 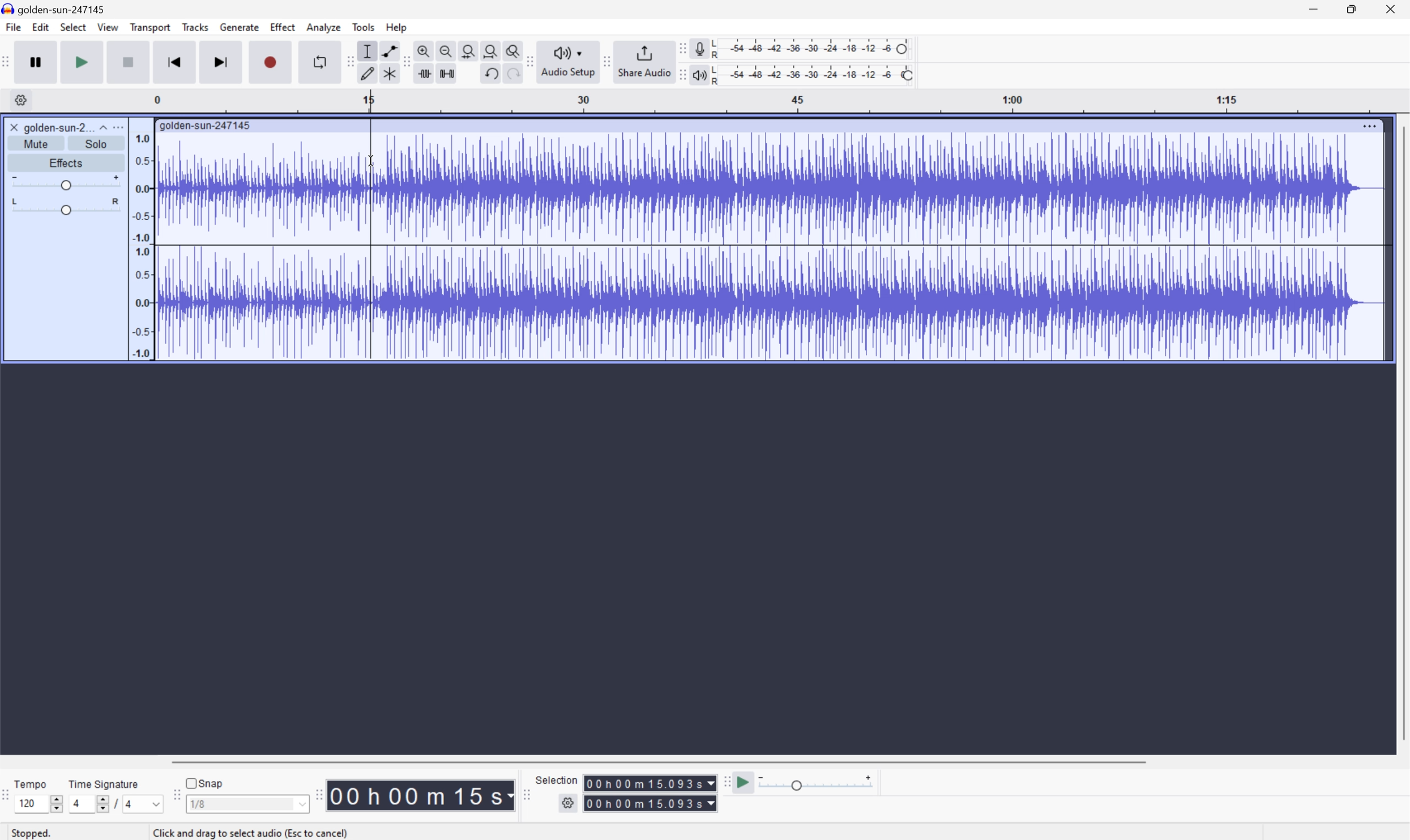 What do you see at coordinates (570, 803) in the screenshot?
I see `Settings` at bounding box center [570, 803].